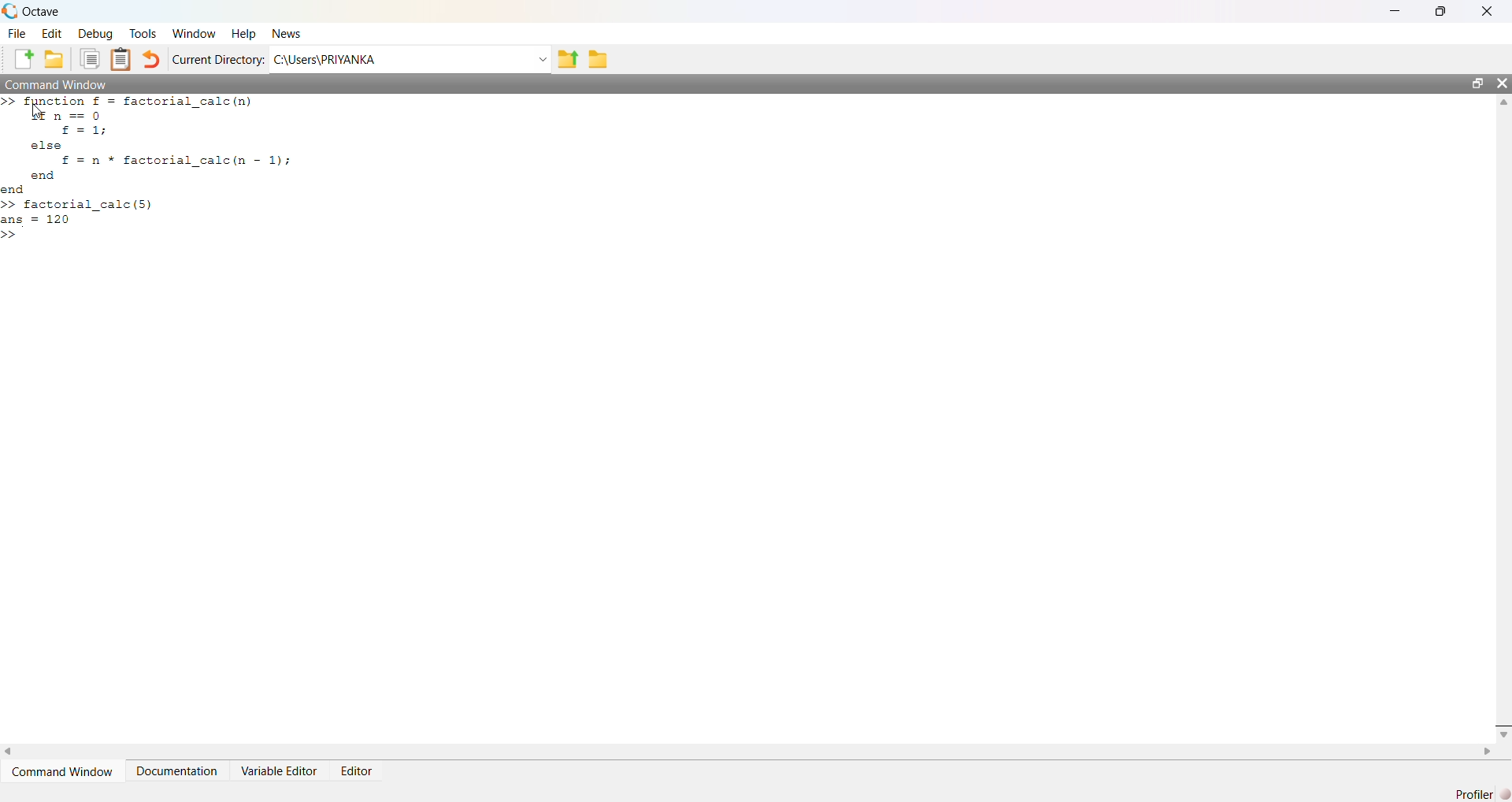 This screenshot has width=1512, height=802. What do you see at coordinates (19, 32) in the screenshot?
I see `file` at bounding box center [19, 32].